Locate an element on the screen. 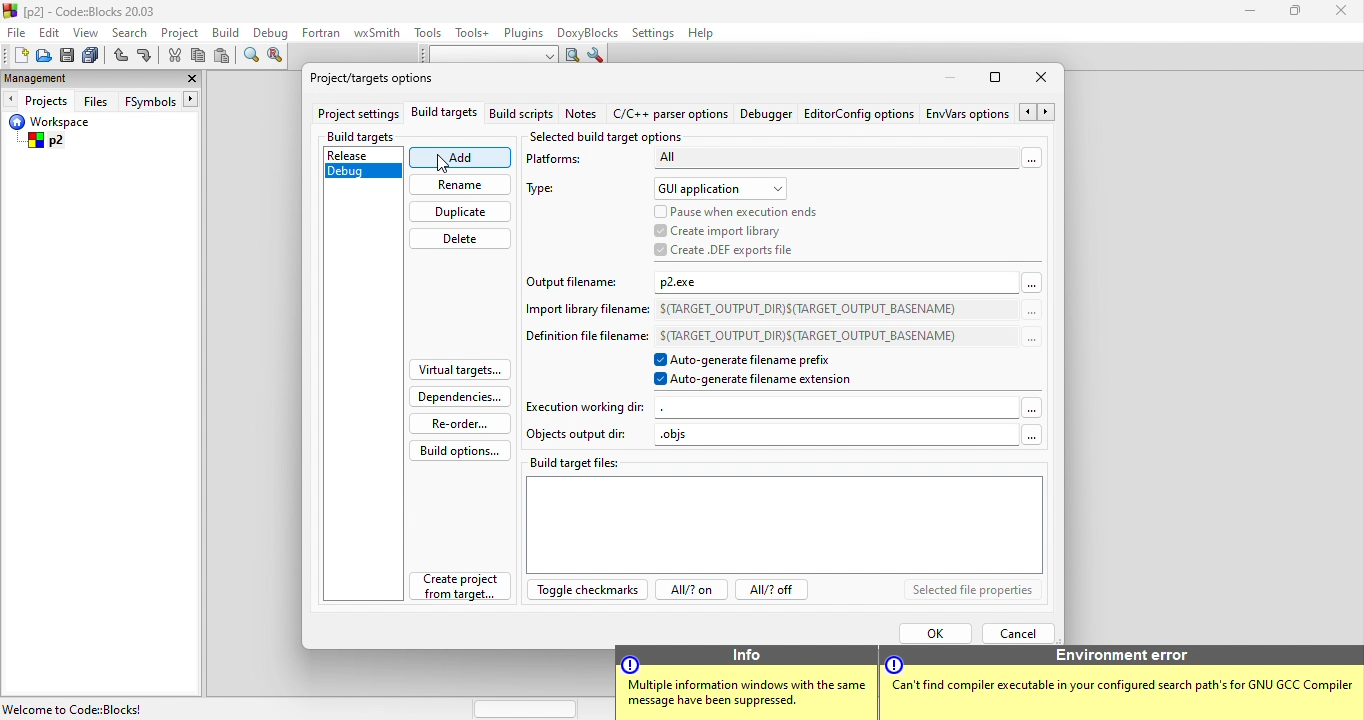 The width and height of the screenshot is (1364, 720). rename is located at coordinates (464, 187).